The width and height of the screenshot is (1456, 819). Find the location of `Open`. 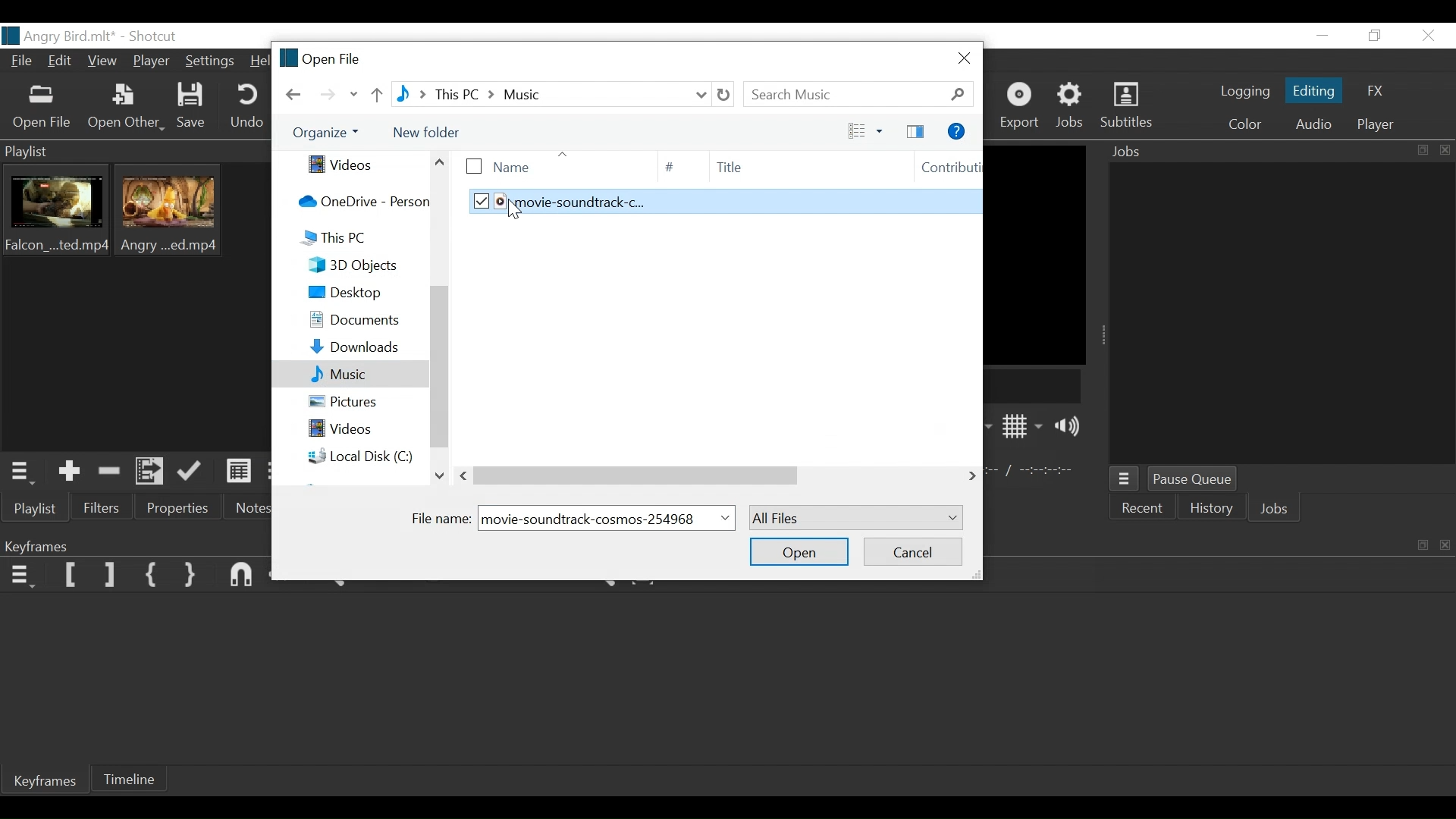

Open is located at coordinates (799, 551).